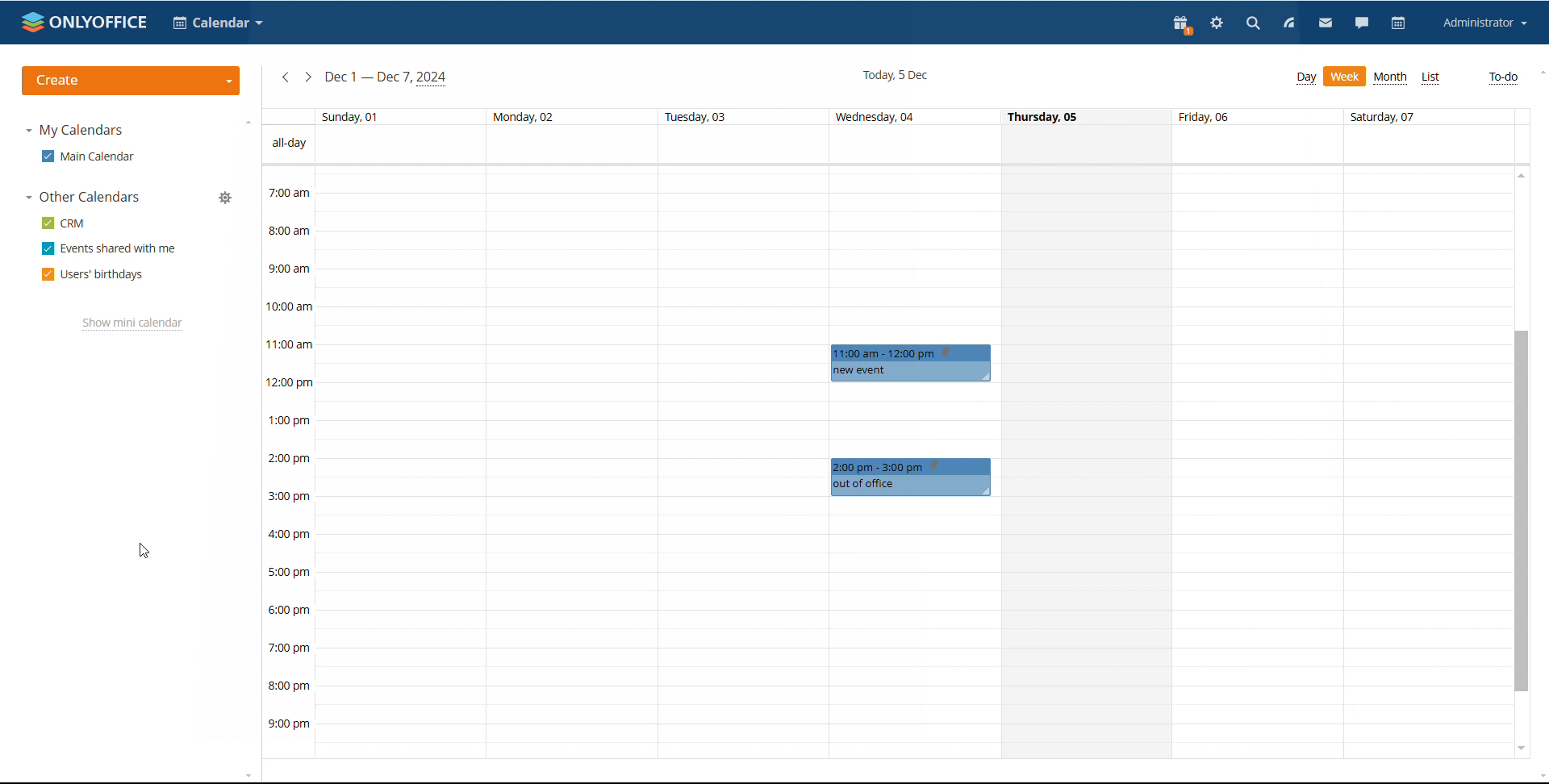  Describe the element at coordinates (217, 23) in the screenshot. I see `select application` at that location.